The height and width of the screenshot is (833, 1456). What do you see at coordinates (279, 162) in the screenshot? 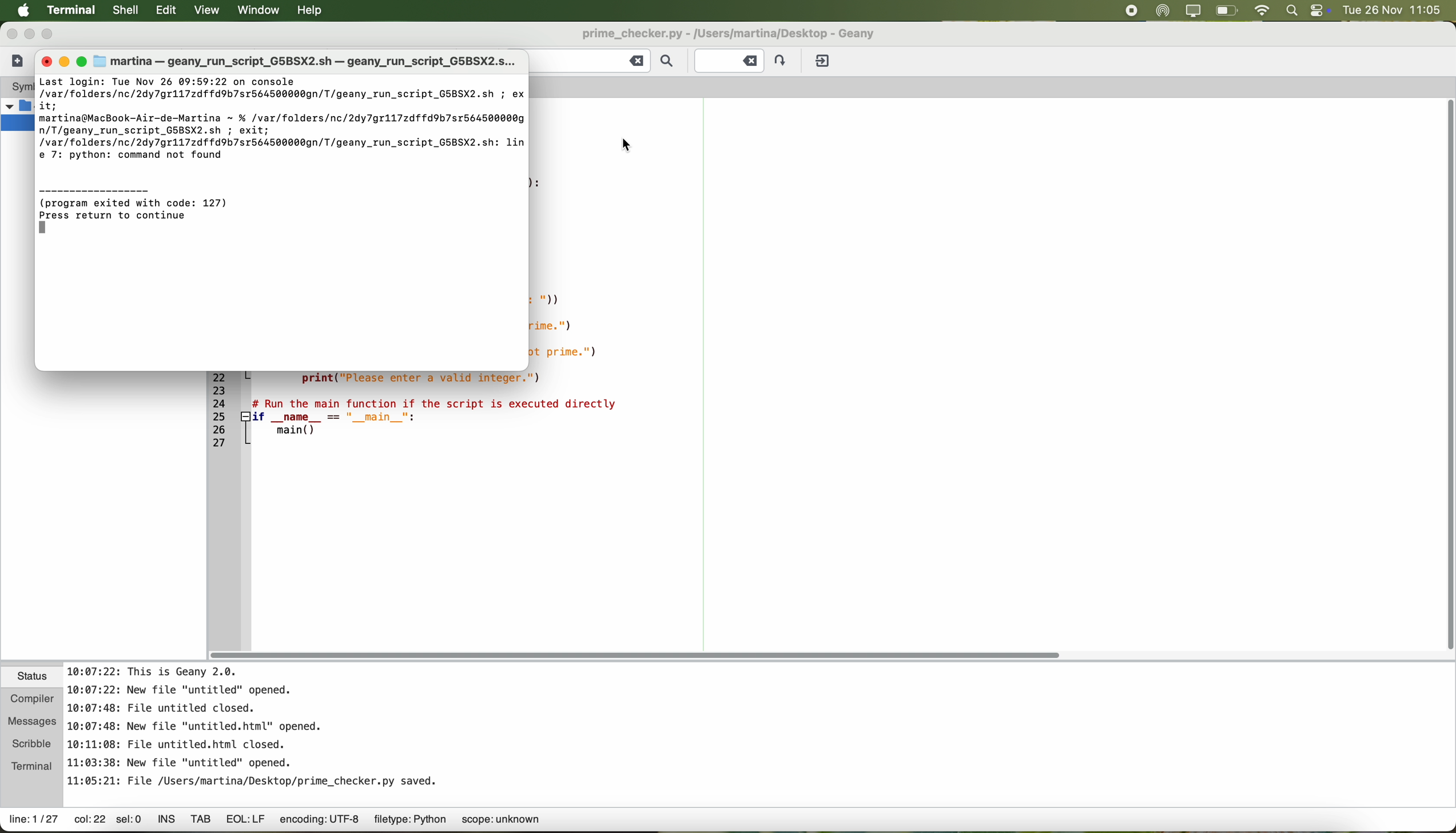
I see `execute` at bounding box center [279, 162].